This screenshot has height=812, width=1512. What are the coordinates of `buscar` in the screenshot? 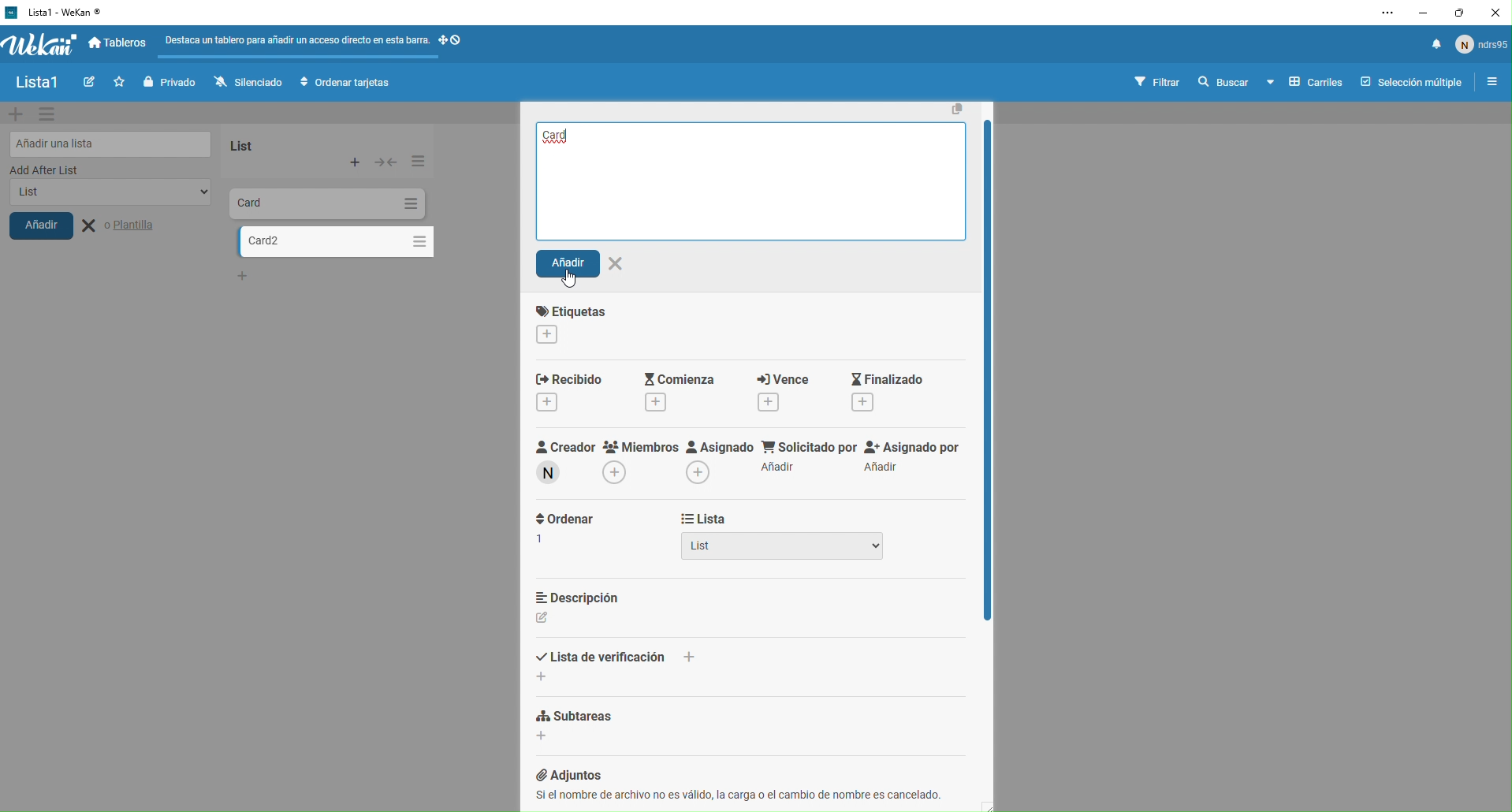 It's located at (1222, 83).